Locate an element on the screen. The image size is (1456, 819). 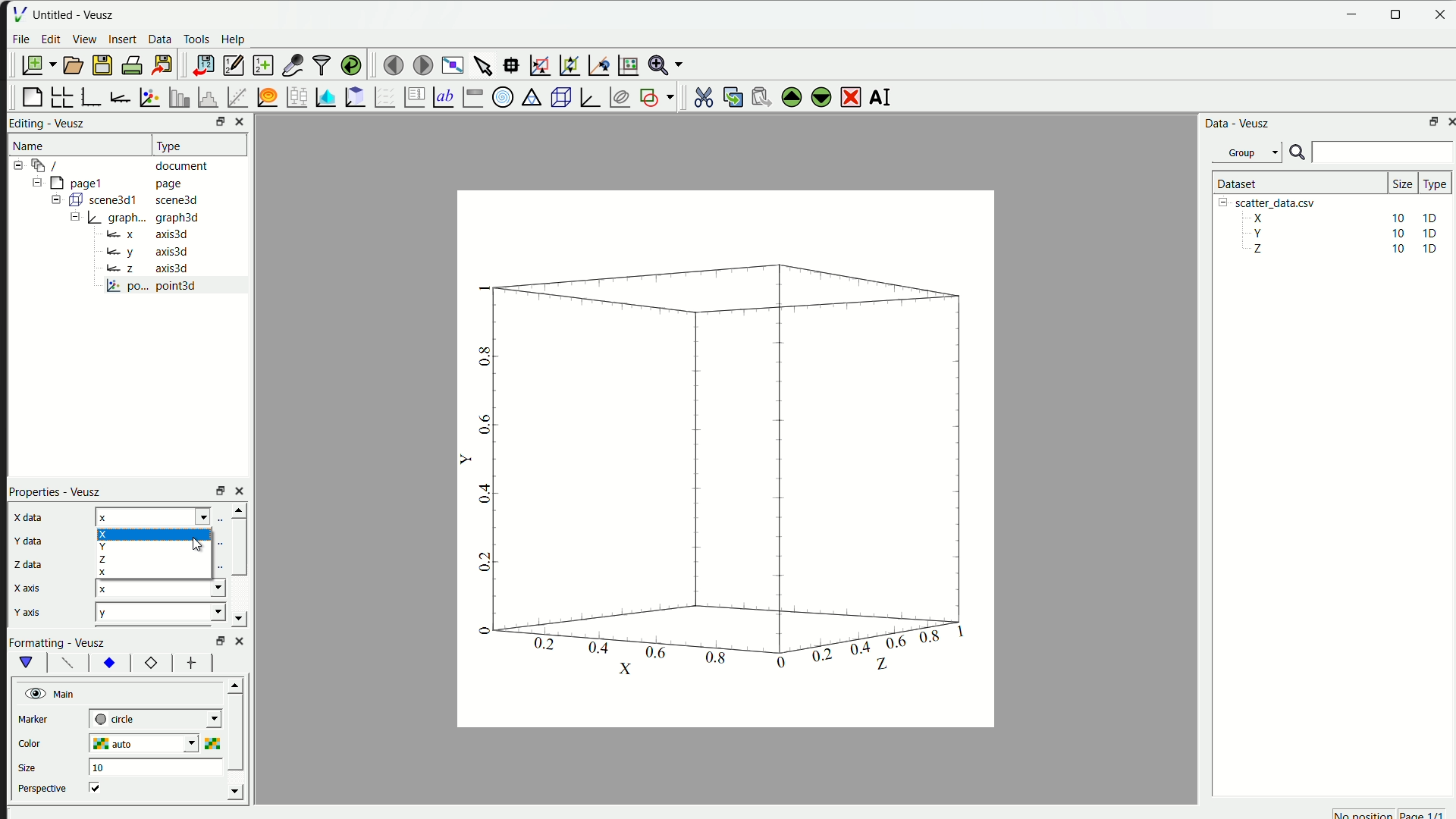
Untitled - Veusz is located at coordinates (77, 14).